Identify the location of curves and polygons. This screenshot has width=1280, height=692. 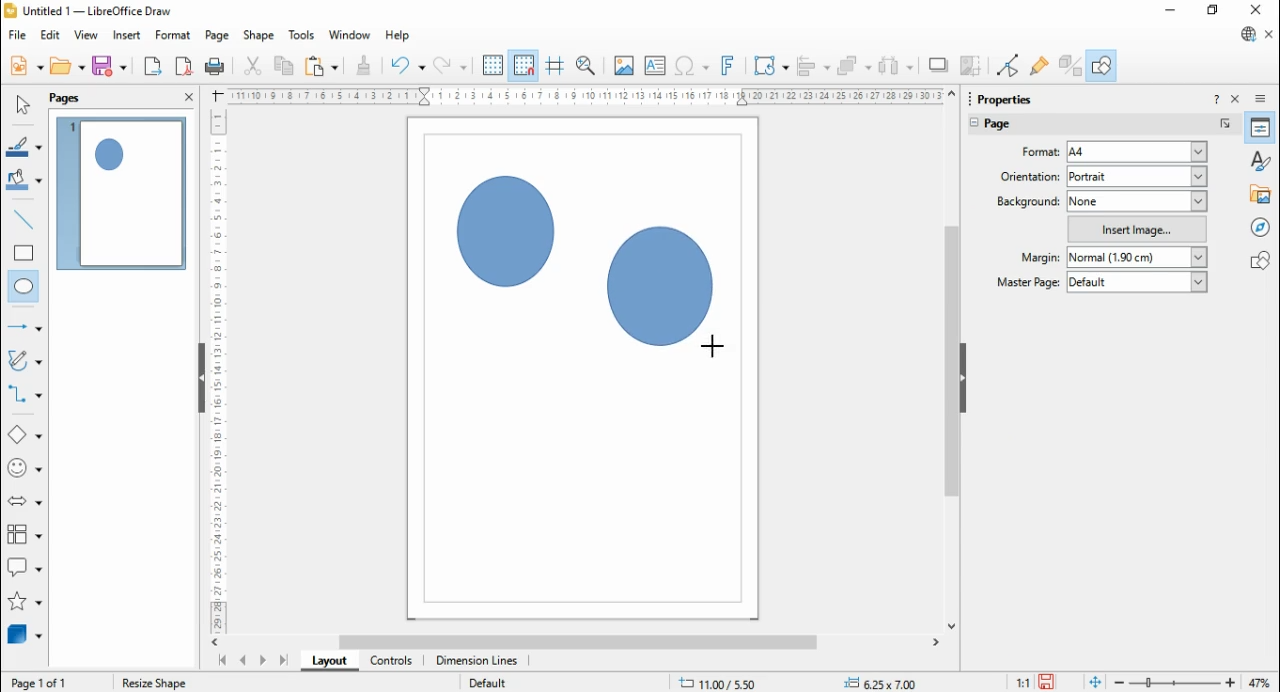
(26, 361).